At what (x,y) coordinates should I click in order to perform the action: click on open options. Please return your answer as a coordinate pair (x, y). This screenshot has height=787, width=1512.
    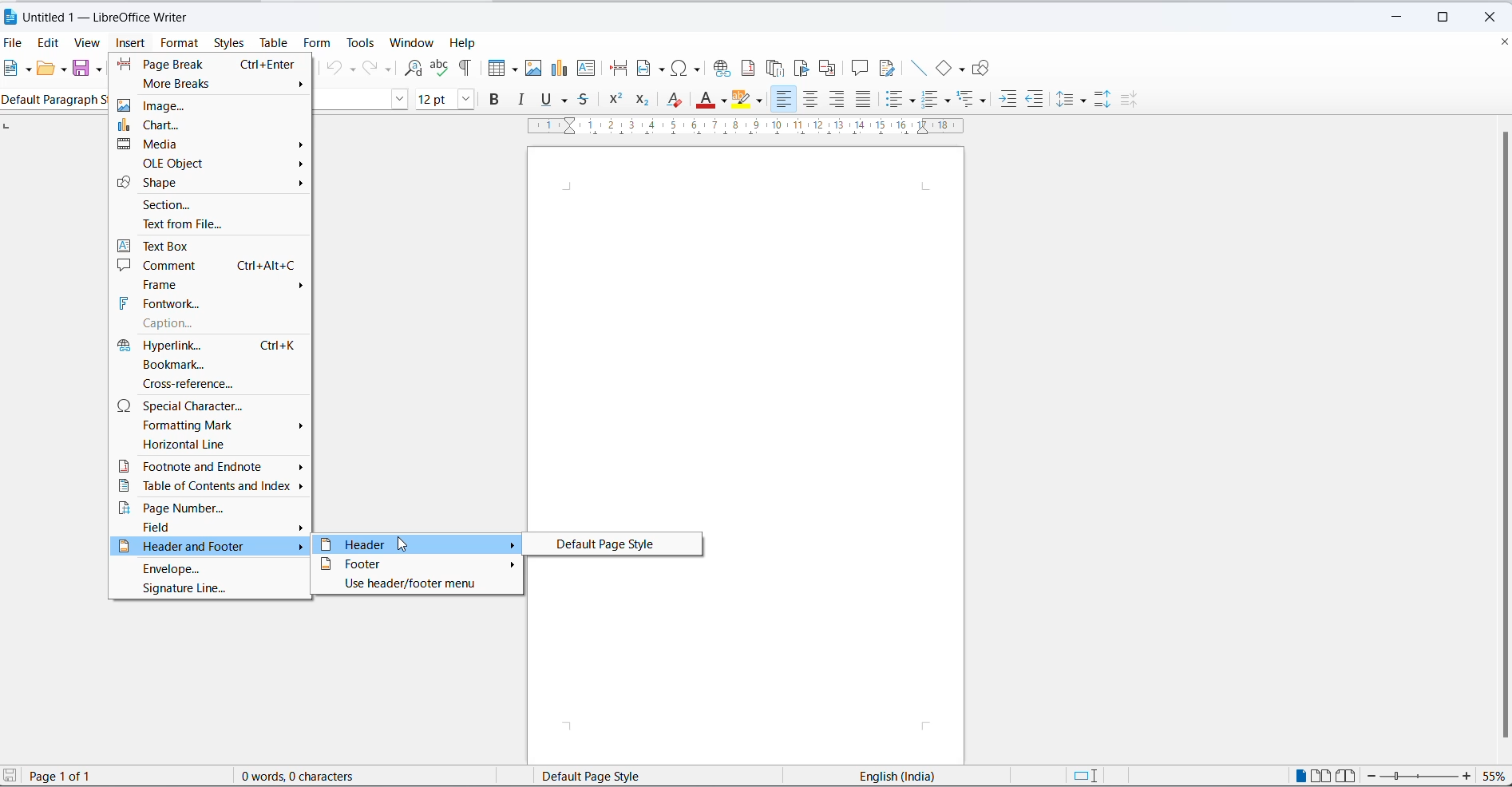
    Looking at the image, I should click on (59, 69).